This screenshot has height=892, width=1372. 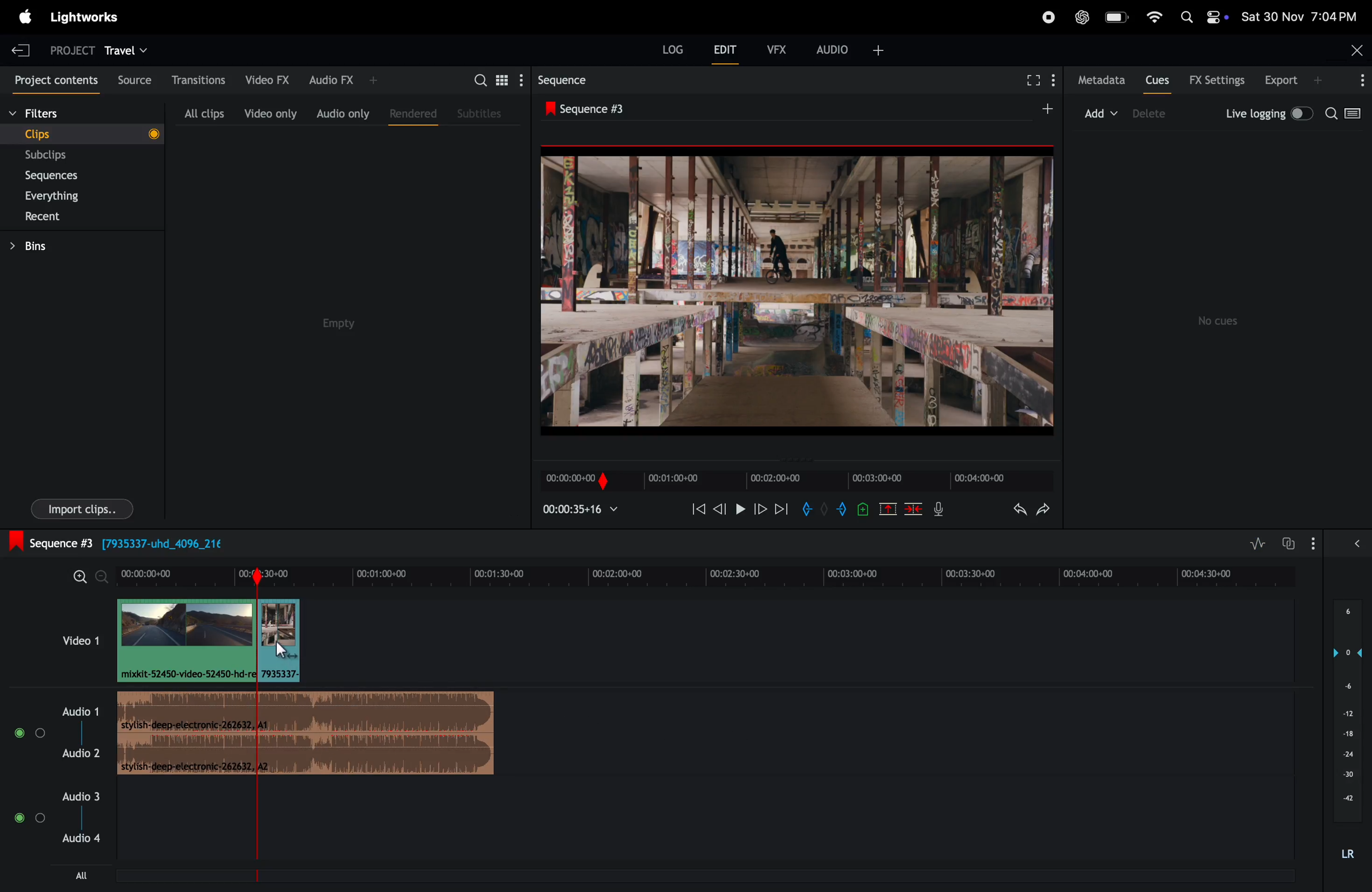 What do you see at coordinates (266, 80) in the screenshot?
I see `video fx` at bounding box center [266, 80].